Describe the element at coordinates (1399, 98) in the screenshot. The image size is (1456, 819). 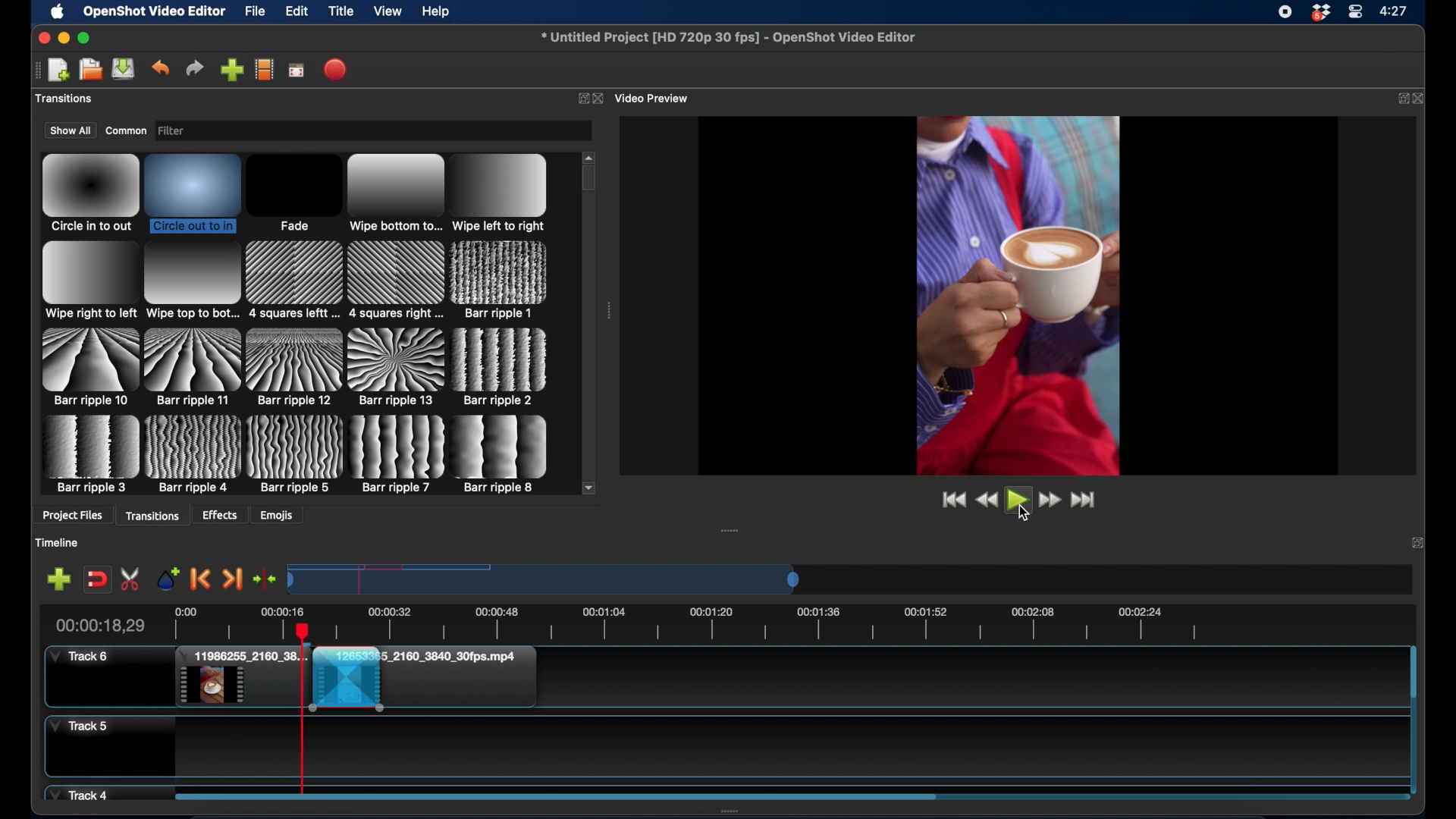
I see `expand` at that location.